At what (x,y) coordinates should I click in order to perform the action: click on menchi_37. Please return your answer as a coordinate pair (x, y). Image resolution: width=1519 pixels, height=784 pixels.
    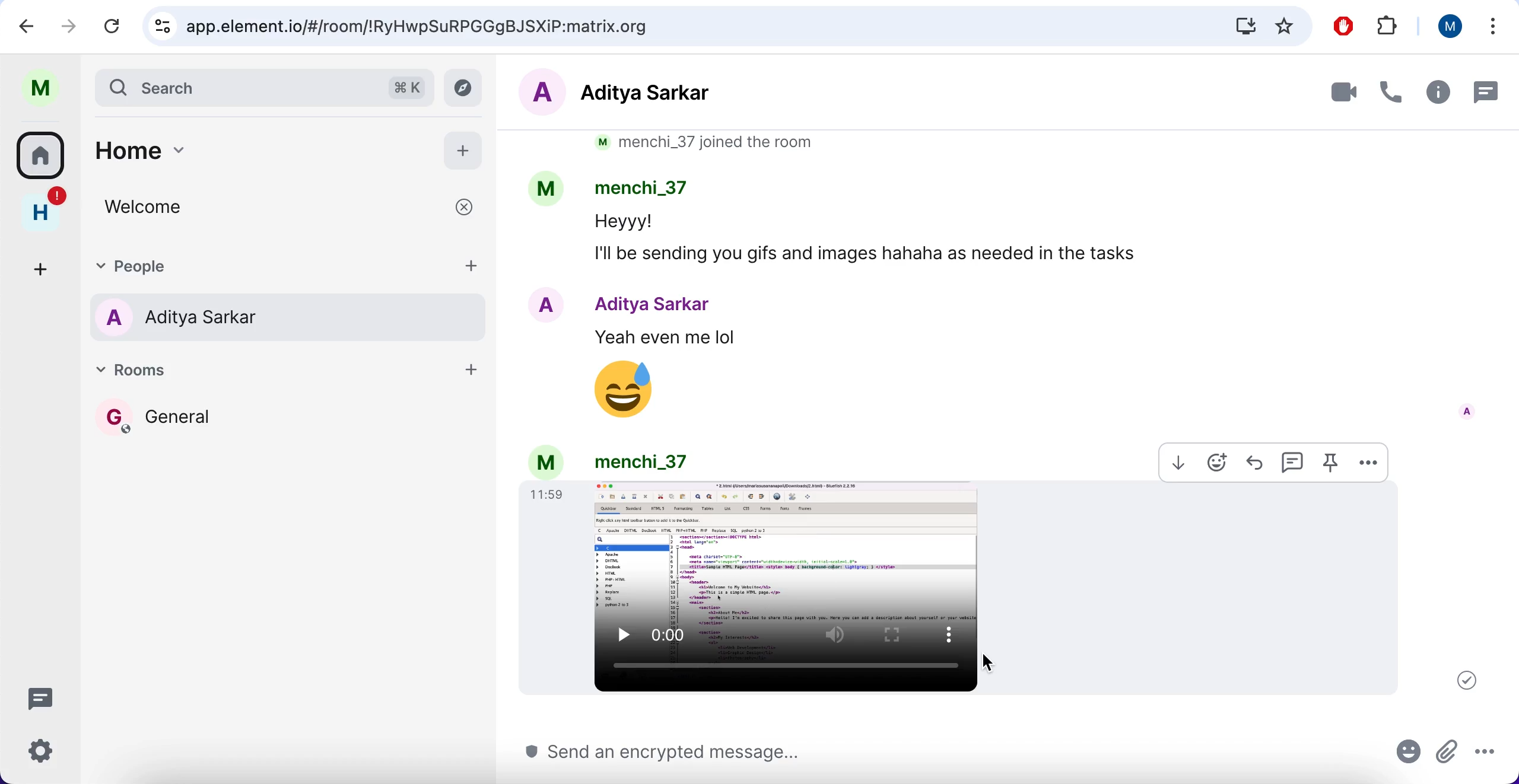
    Looking at the image, I should click on (638, 190).